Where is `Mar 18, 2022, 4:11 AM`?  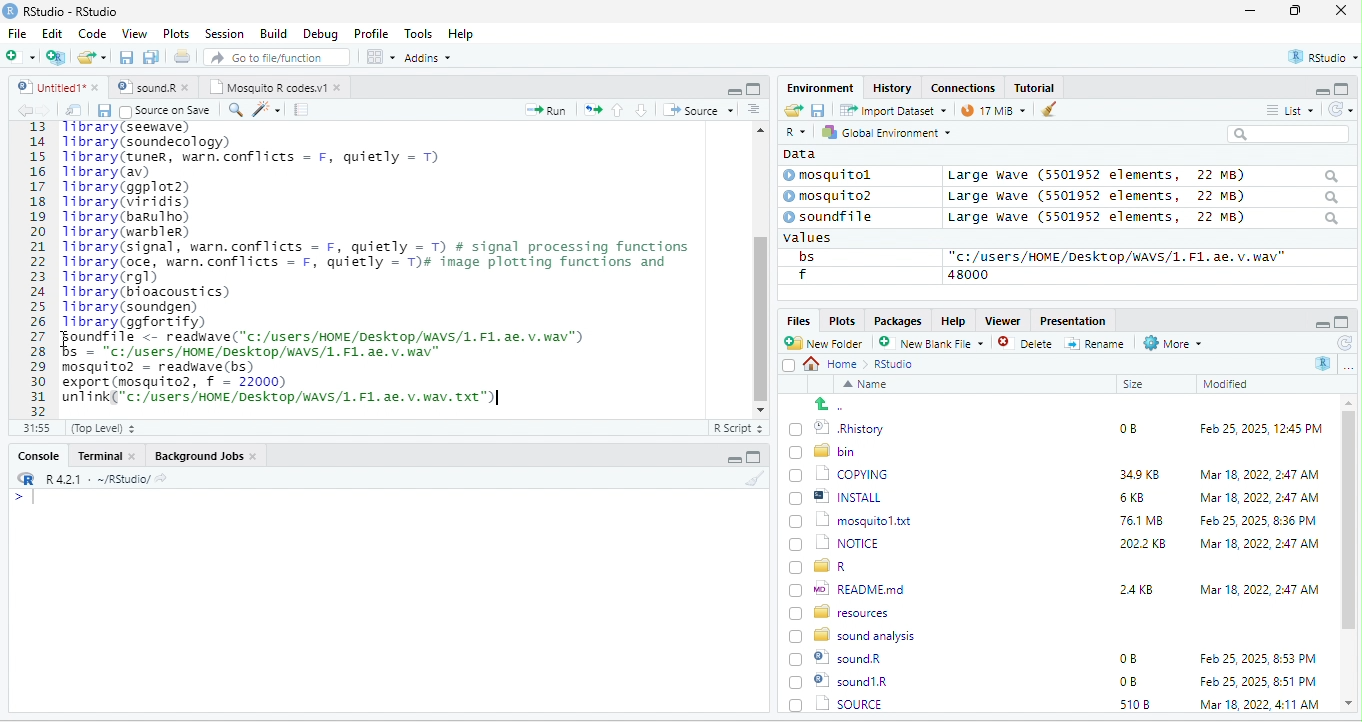 Mar 18, 2022, 4:11 AM is located at coordinates (1258, 681).